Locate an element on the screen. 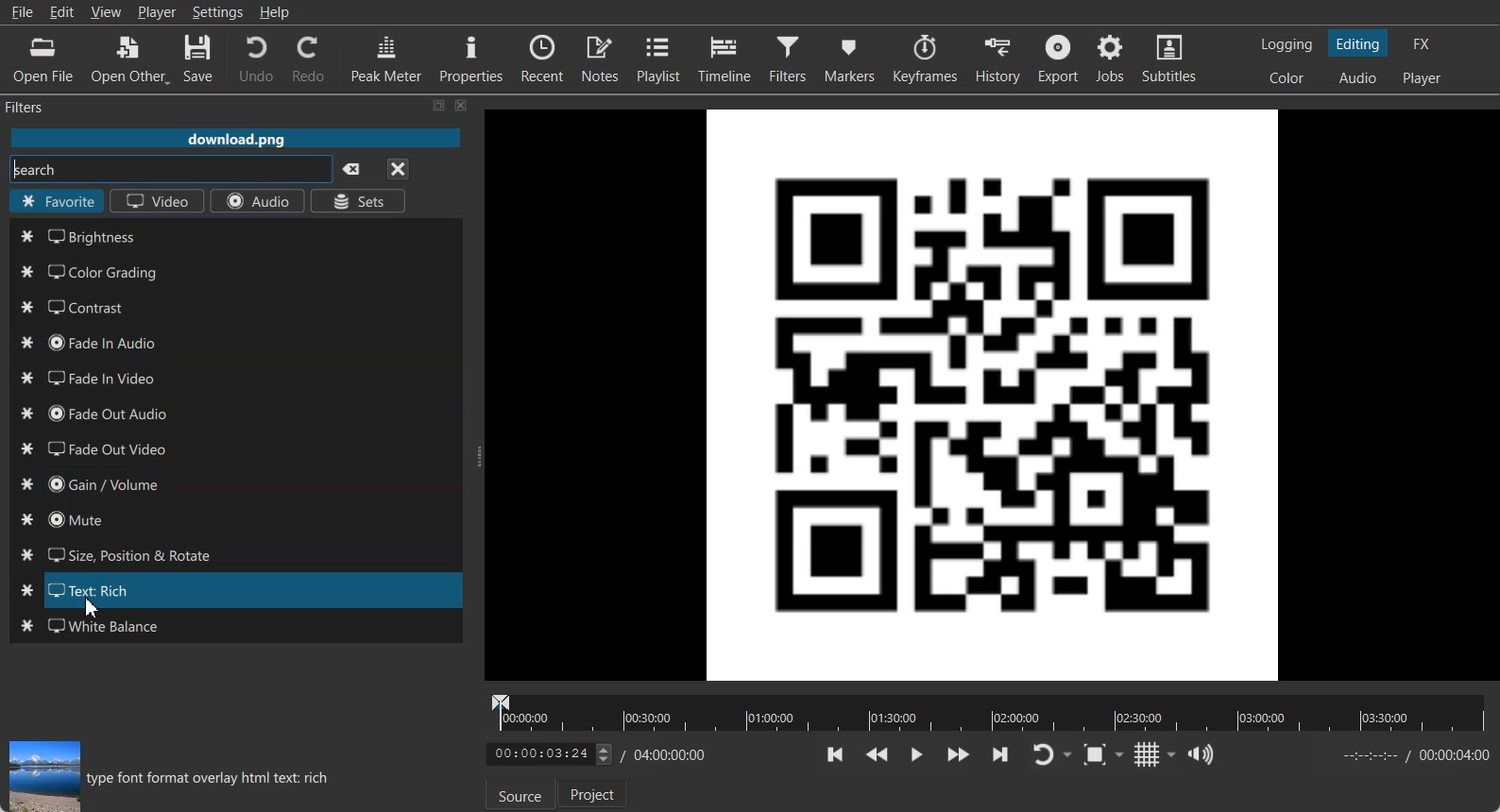 This screenshot has width=1500, height=812. Markers is located at coordinates (851, 58).